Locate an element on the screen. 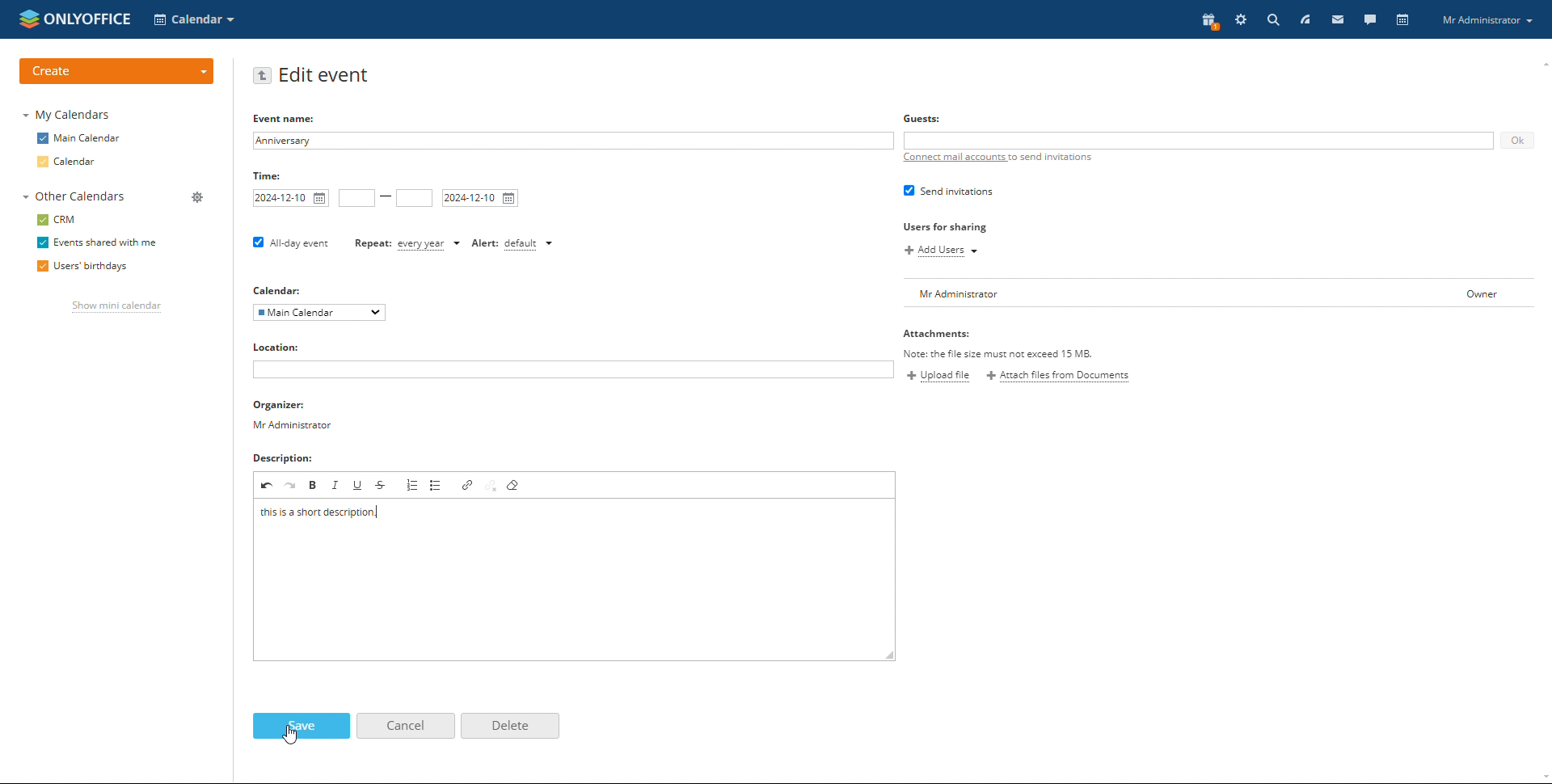 Image resolution: width=1552 pixels, height=784 pixels. attach files from documents is located at coordinates (1058, 377).